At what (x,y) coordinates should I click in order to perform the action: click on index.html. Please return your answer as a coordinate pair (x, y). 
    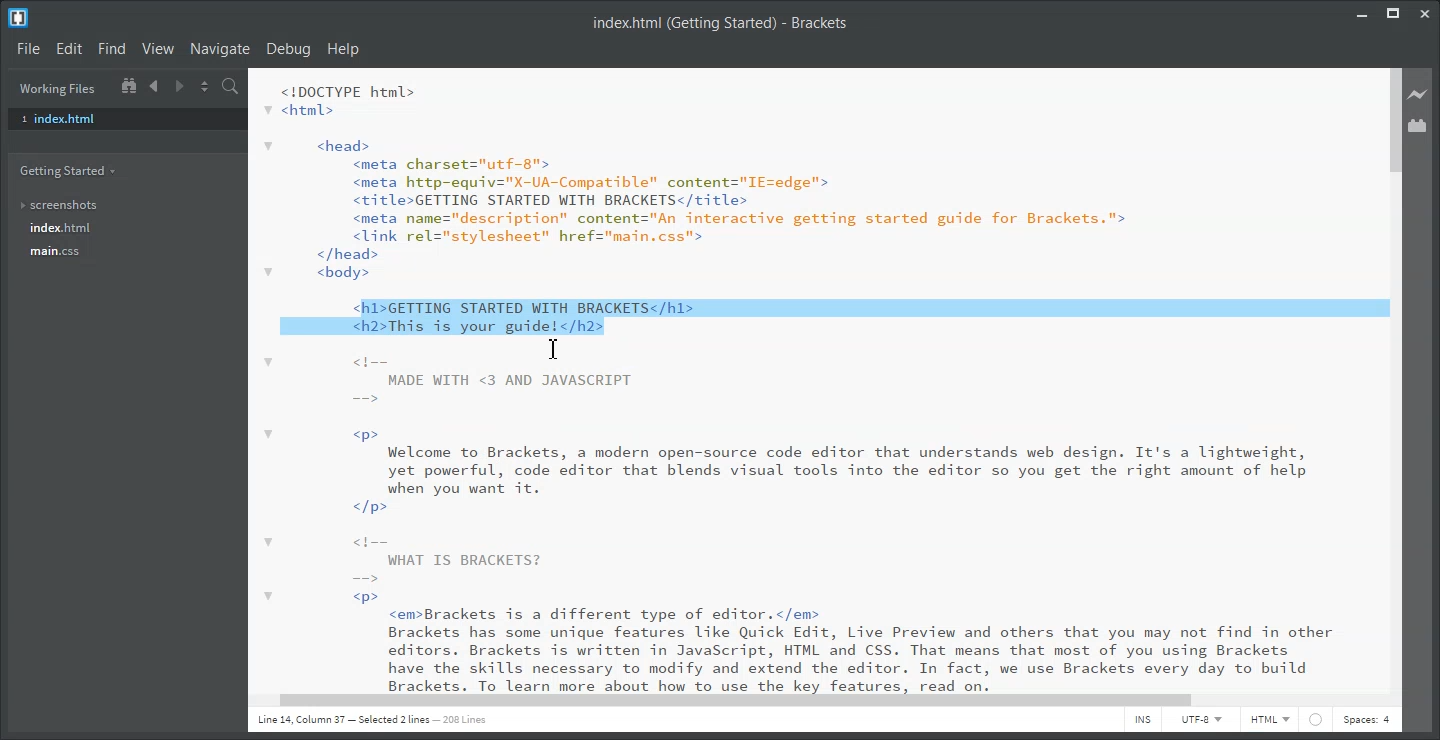
    Looking at the image, I should click on (62, 228).